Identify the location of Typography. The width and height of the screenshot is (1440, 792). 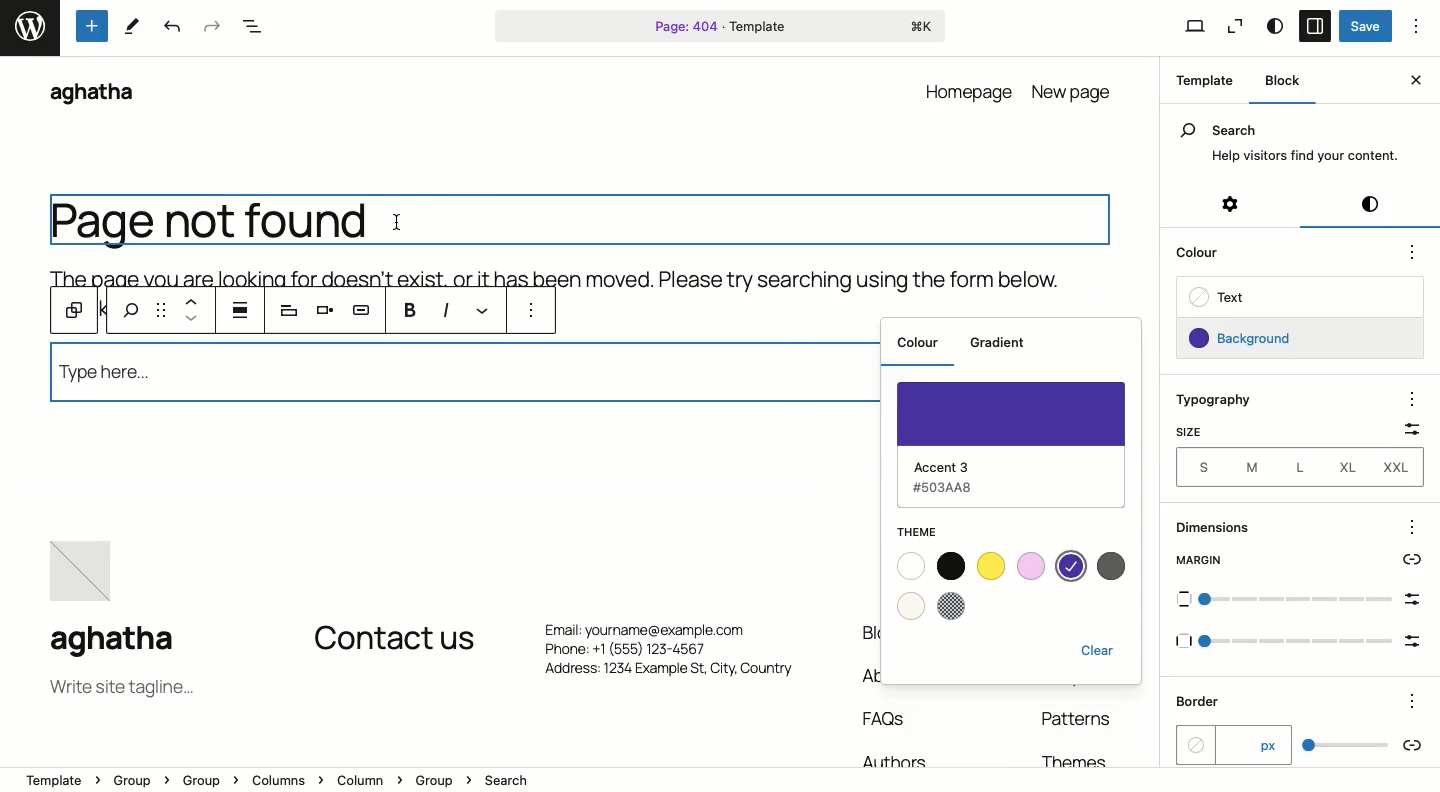
(1214, 401).